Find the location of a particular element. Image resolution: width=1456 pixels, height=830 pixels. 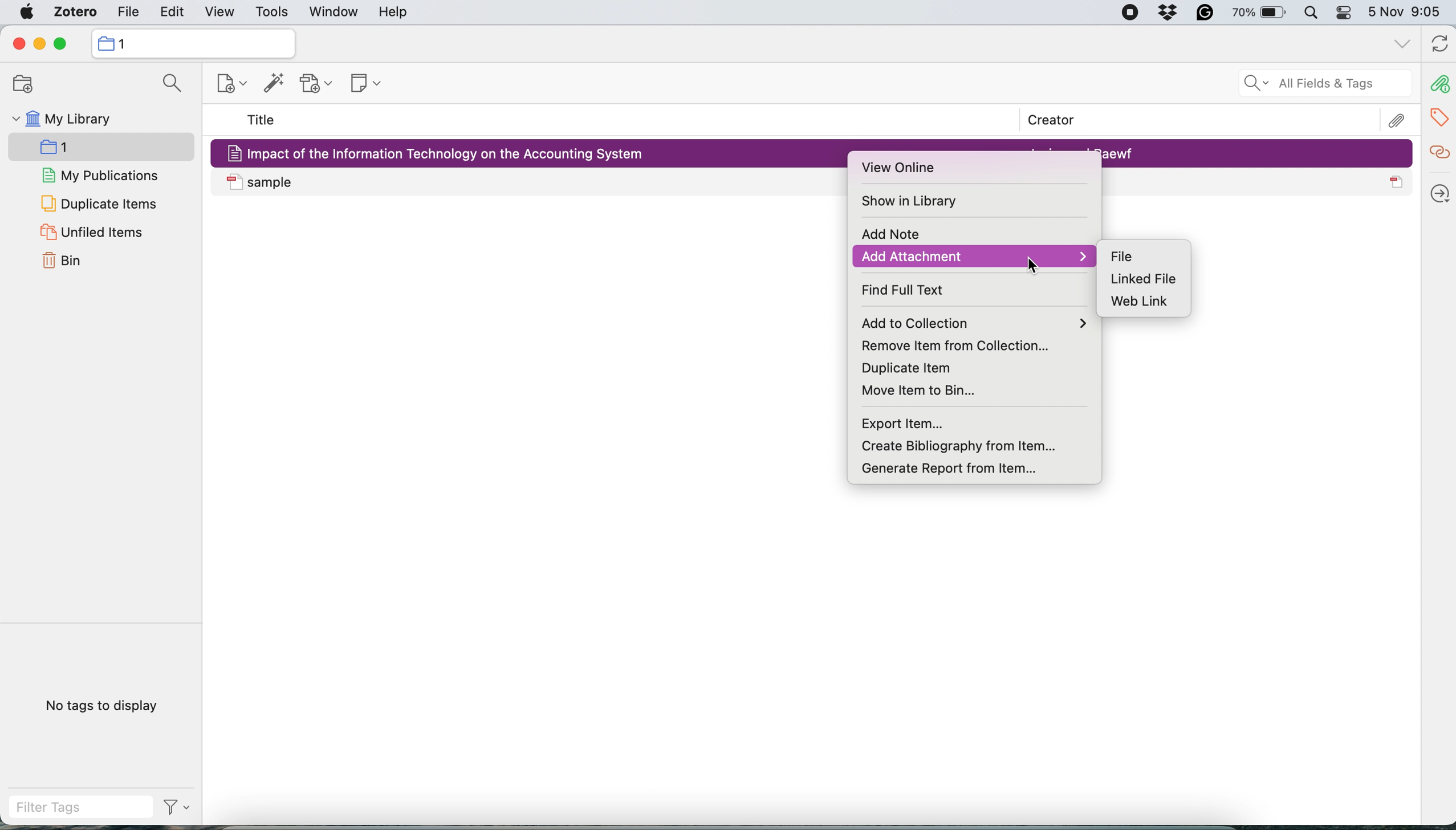

system logo is located at coordinates (27, 12).